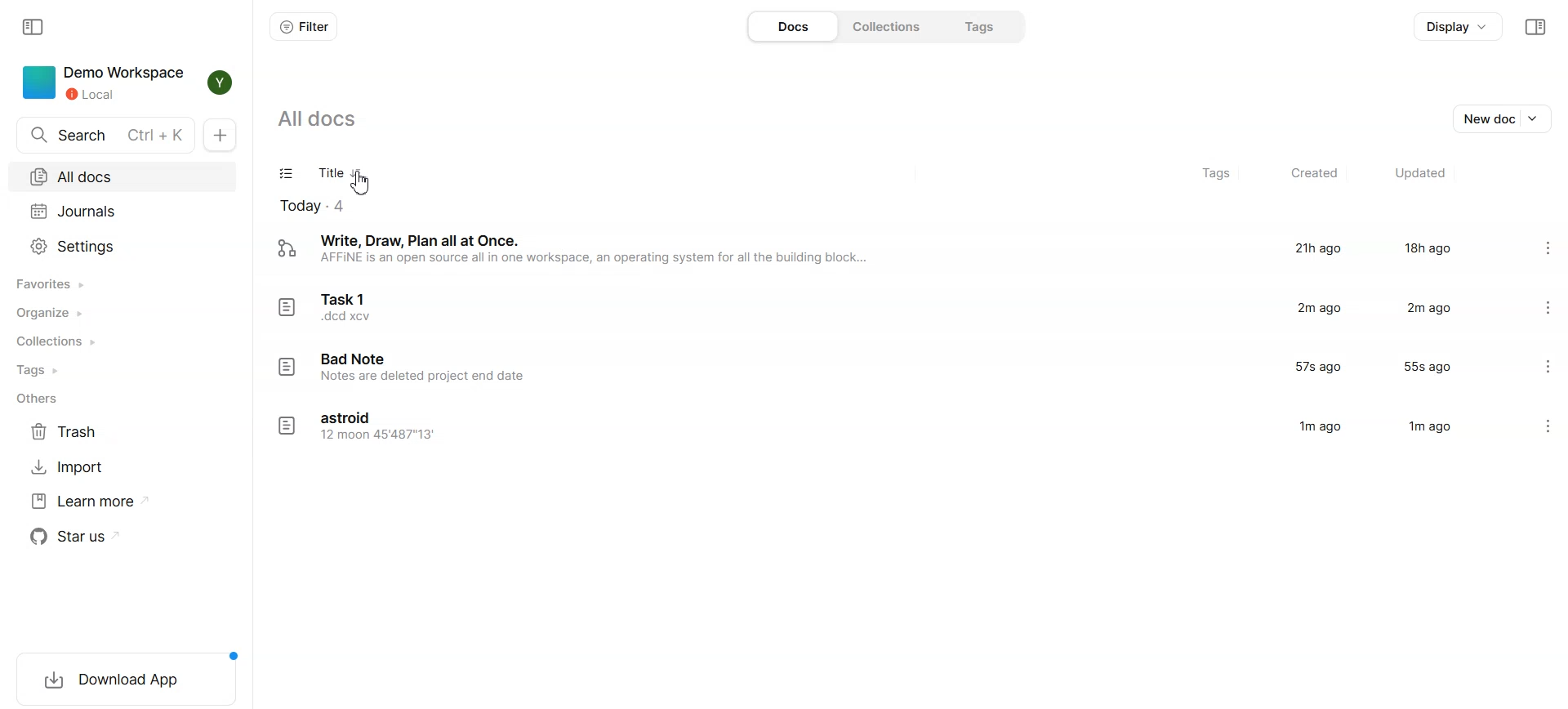  What do you see at coordinates (69, 397) in the screenshot?
I see `Others` at bounding box center [69, 397].